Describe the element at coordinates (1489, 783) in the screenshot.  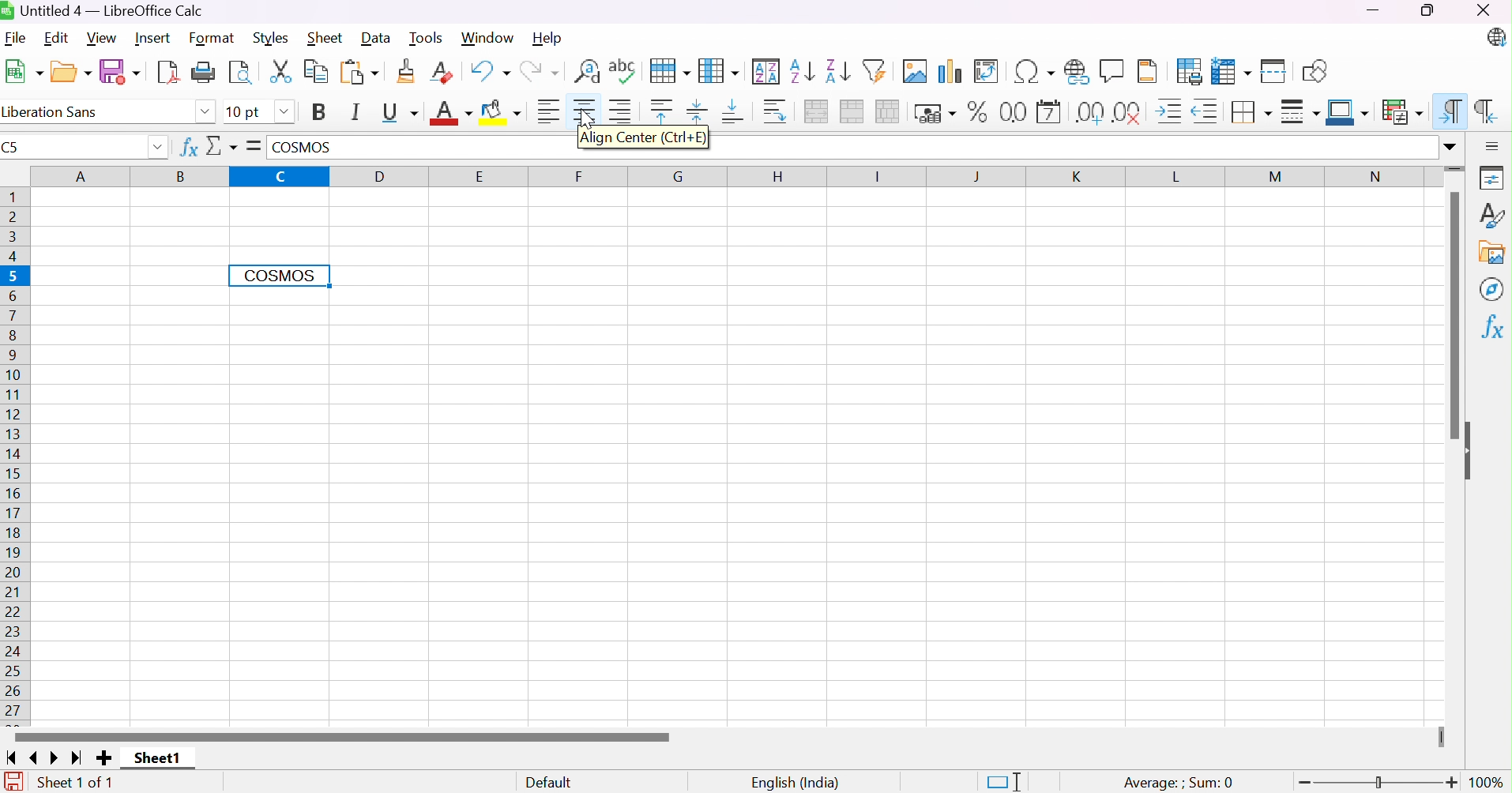
I see `100%` at that location.